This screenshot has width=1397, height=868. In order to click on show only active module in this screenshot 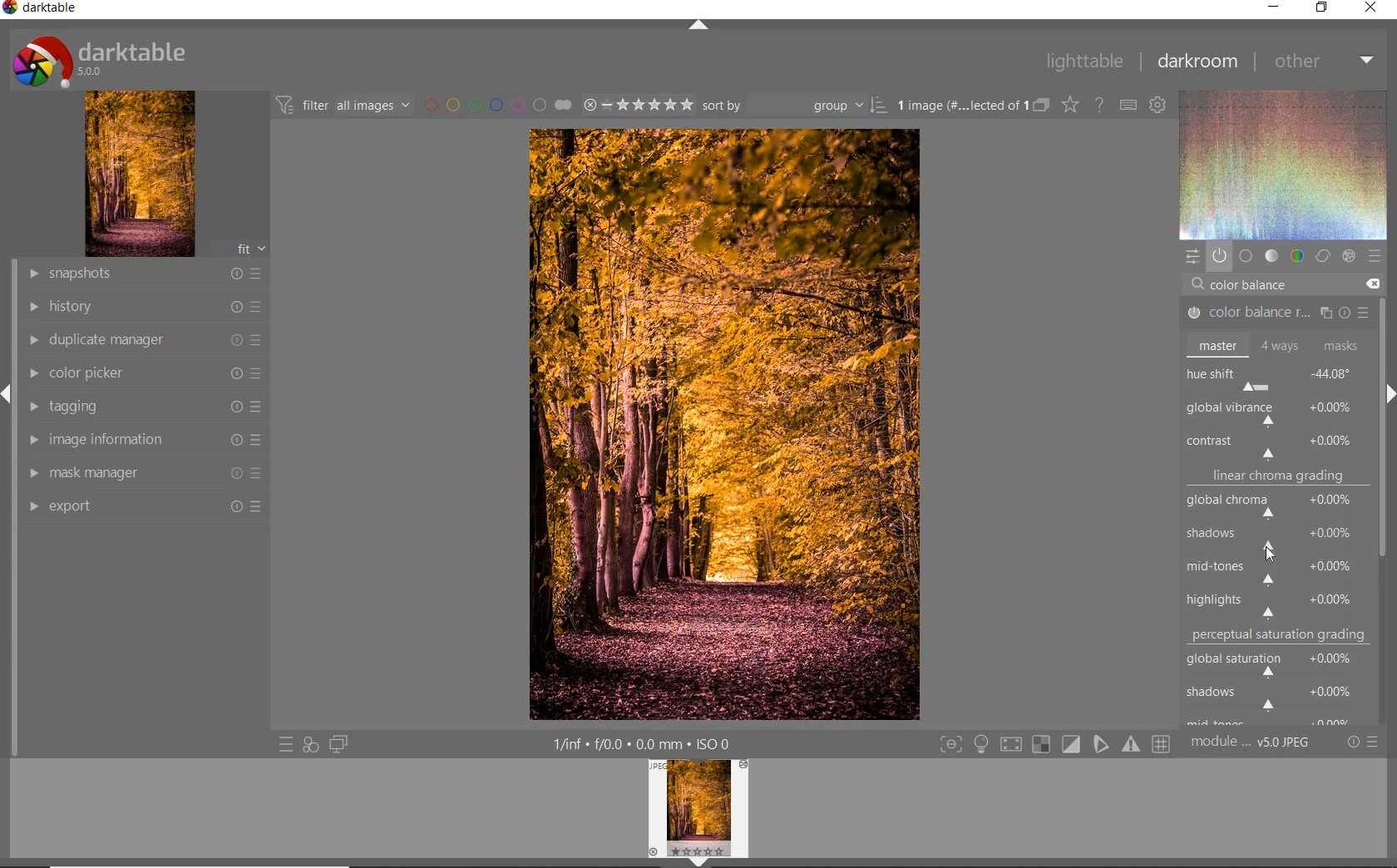, I will do `click(1219, 255)`.